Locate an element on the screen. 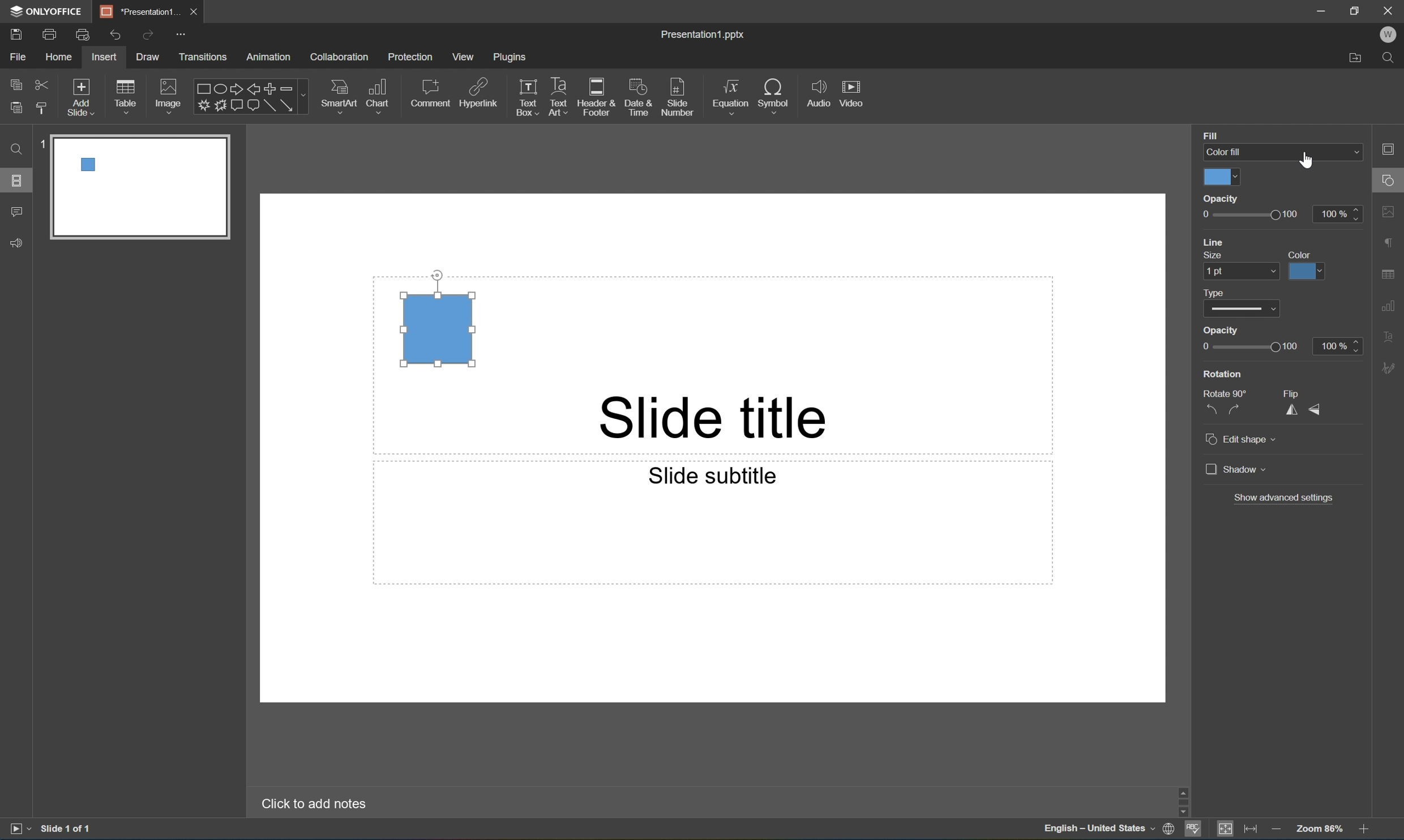  Paragraph settings is located at coordinates (1391, 243).